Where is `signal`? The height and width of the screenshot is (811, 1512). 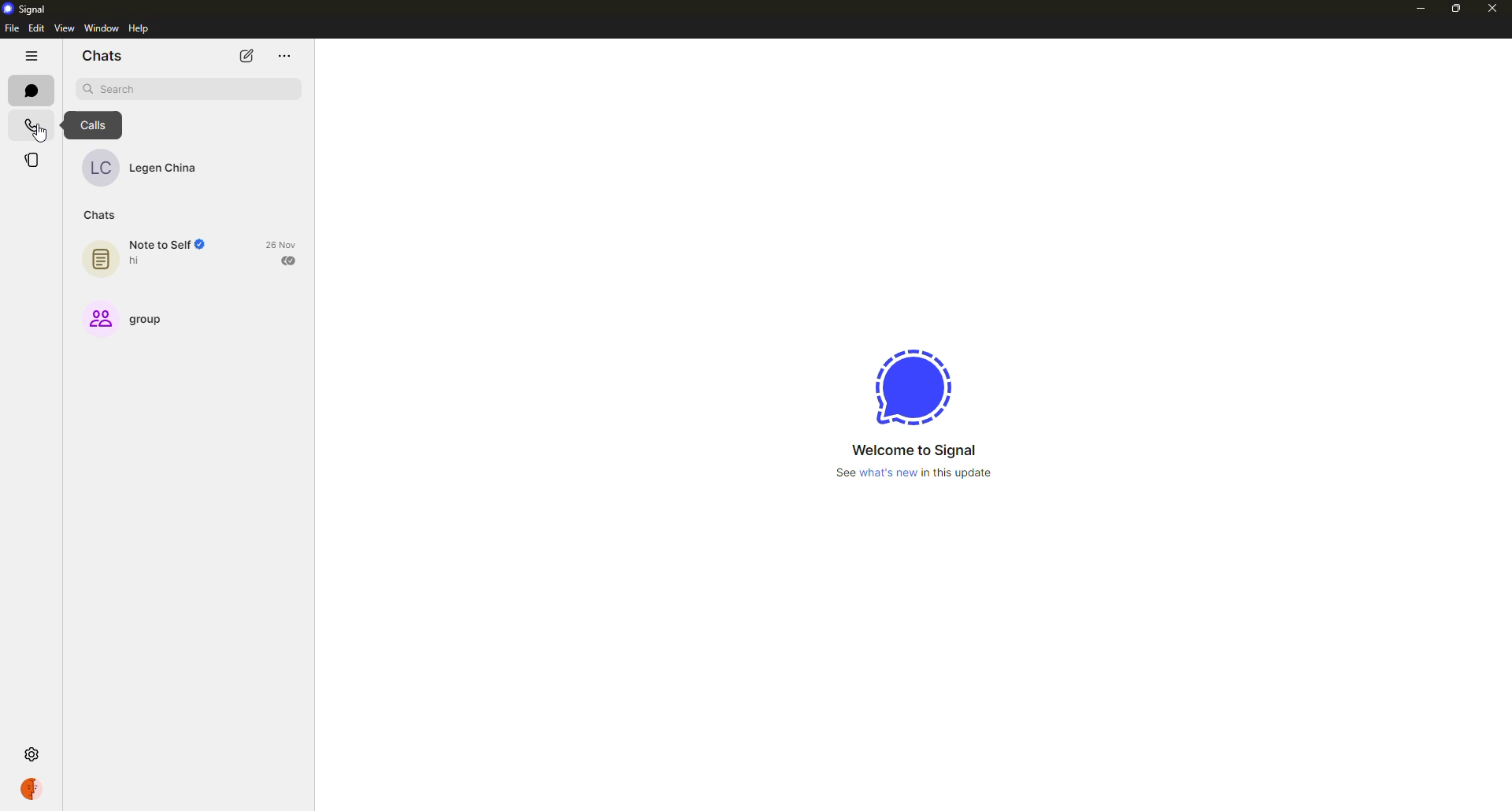 signal is located at coordinates (910, 386).